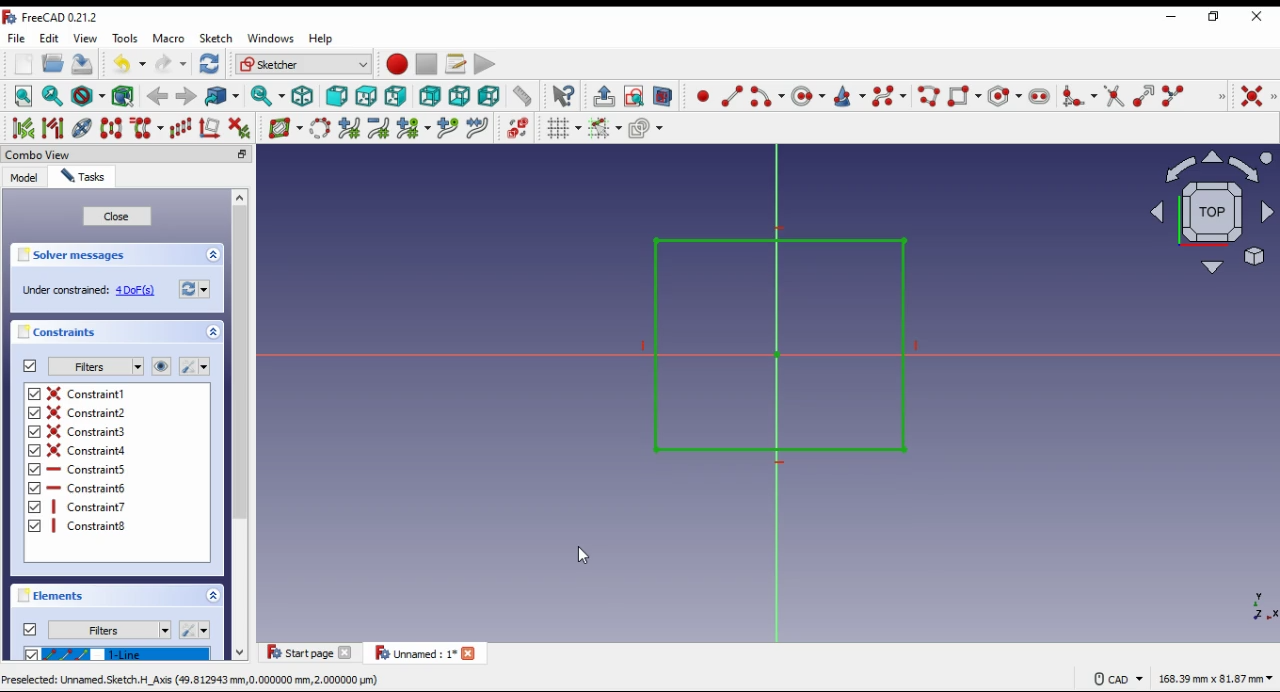  Describe the element at coordinates (350, 129) in the screenshot. I see `increase bspline degree` at that location.